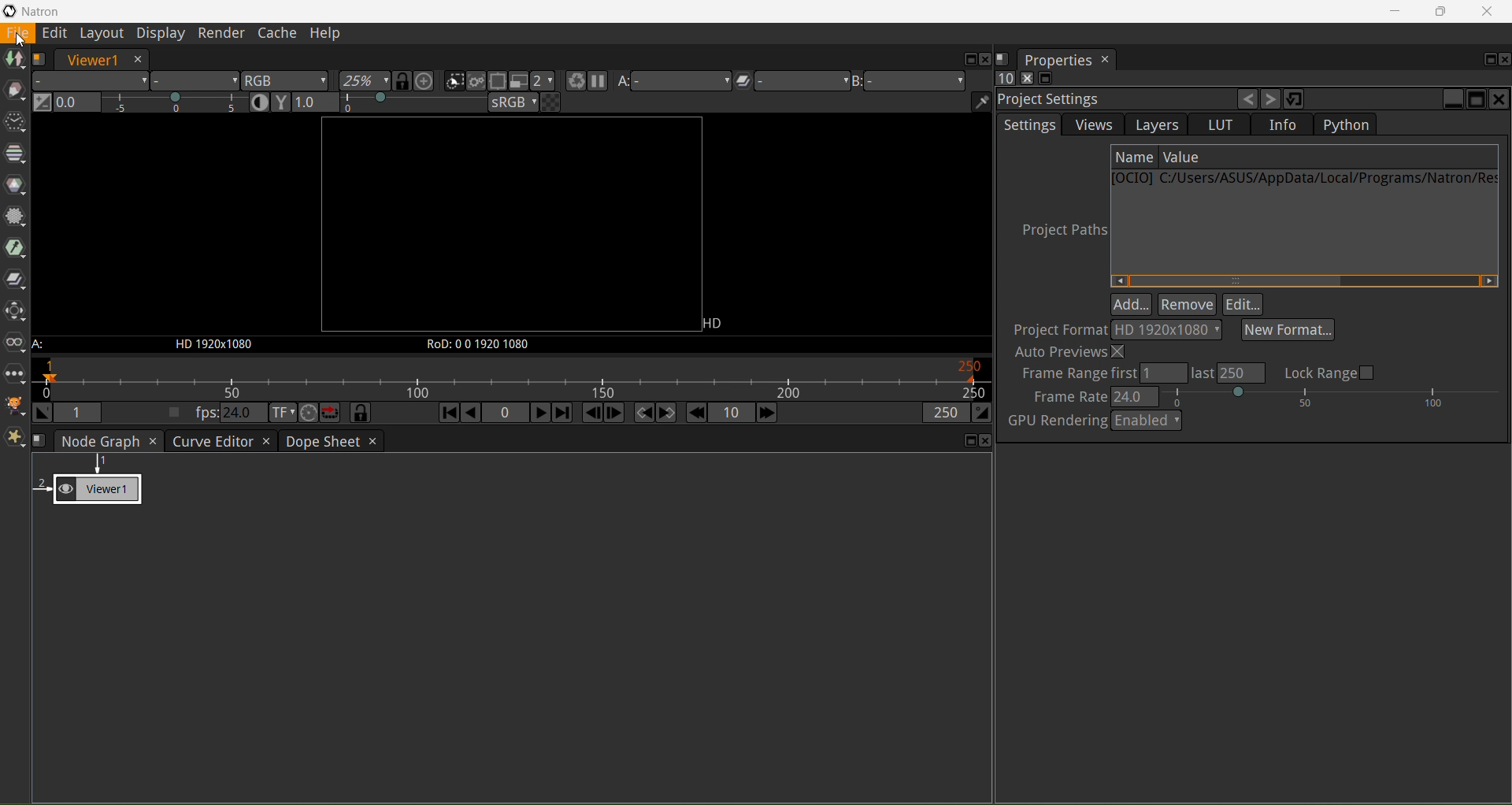 This screenshot has width=1512, height=805. Describe the element at coordinates (40, 103) in the screenshot. I see `Switch between "neutral" 1.0 gain f-stop and the previous setting` at that location.